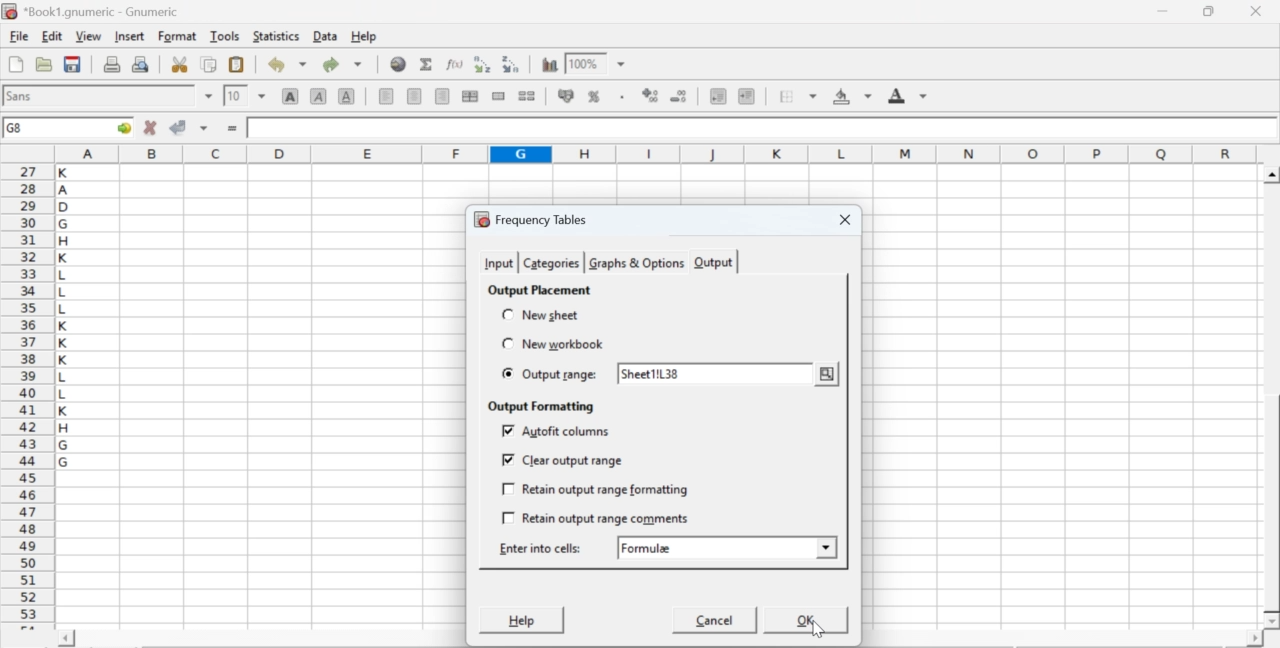  I want to click on 100%, so click(583, 63).